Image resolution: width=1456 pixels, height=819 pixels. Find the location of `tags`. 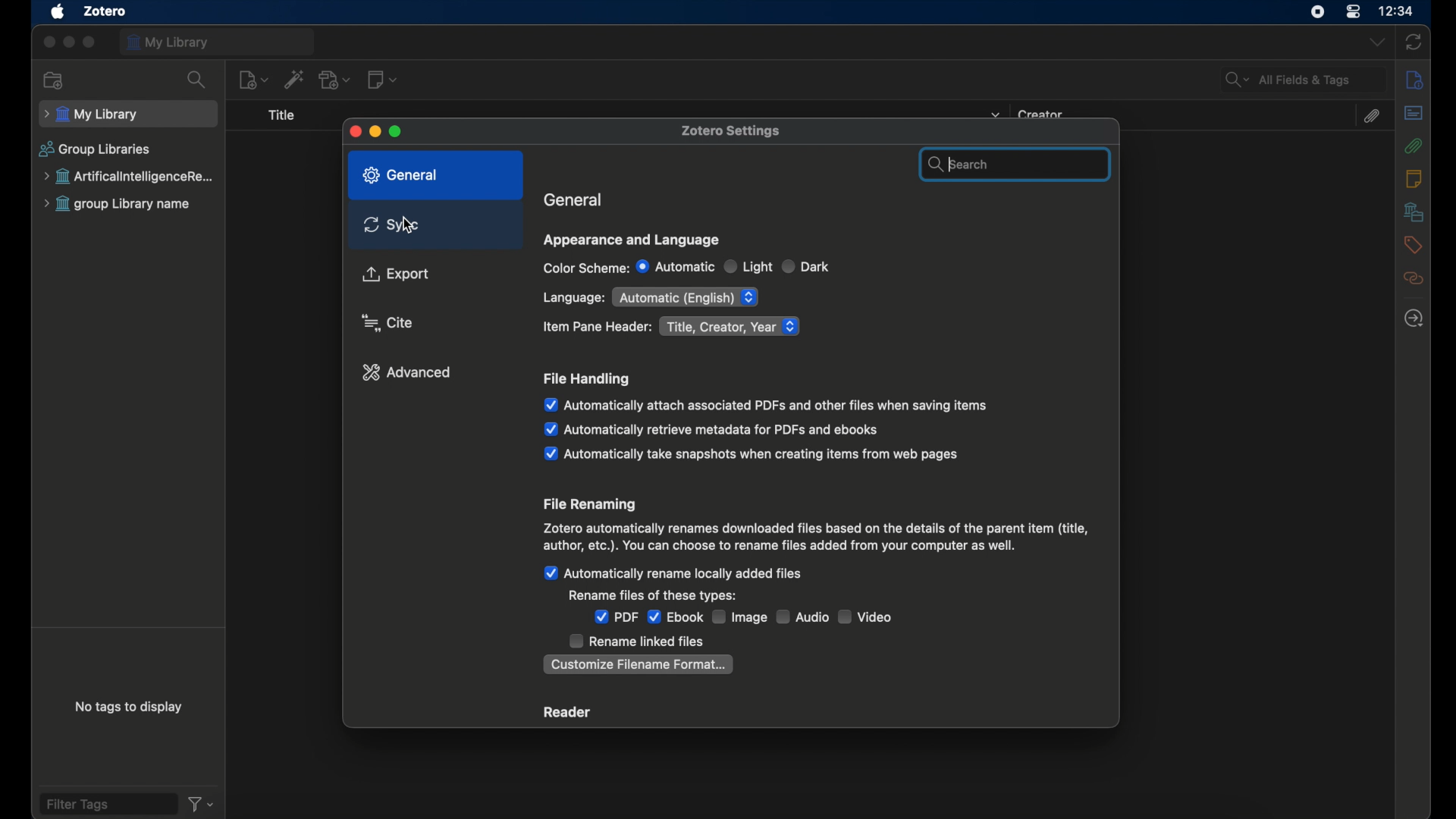

tags is located at coordinates (1412, 246).